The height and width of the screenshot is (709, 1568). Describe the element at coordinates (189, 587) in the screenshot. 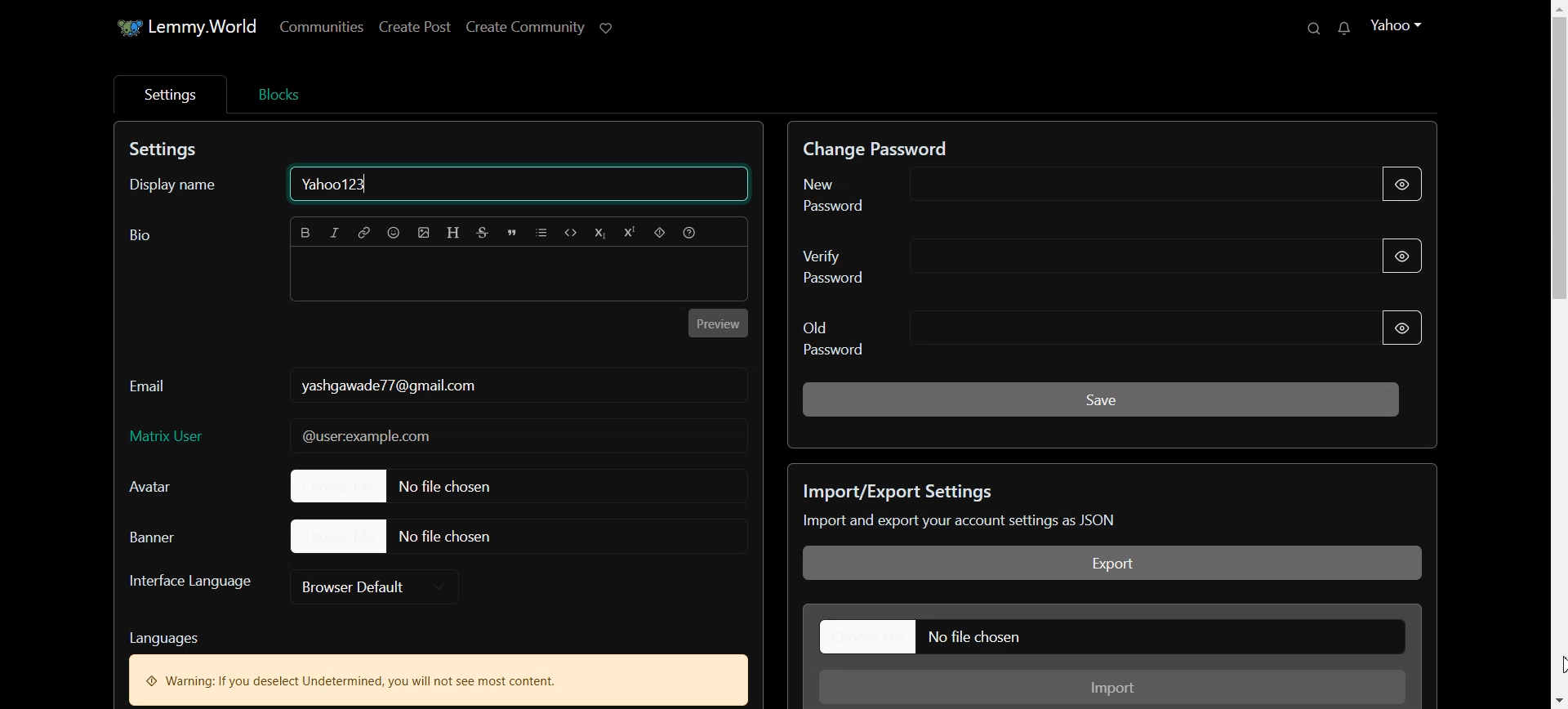

I see `Interface Language` at that location.